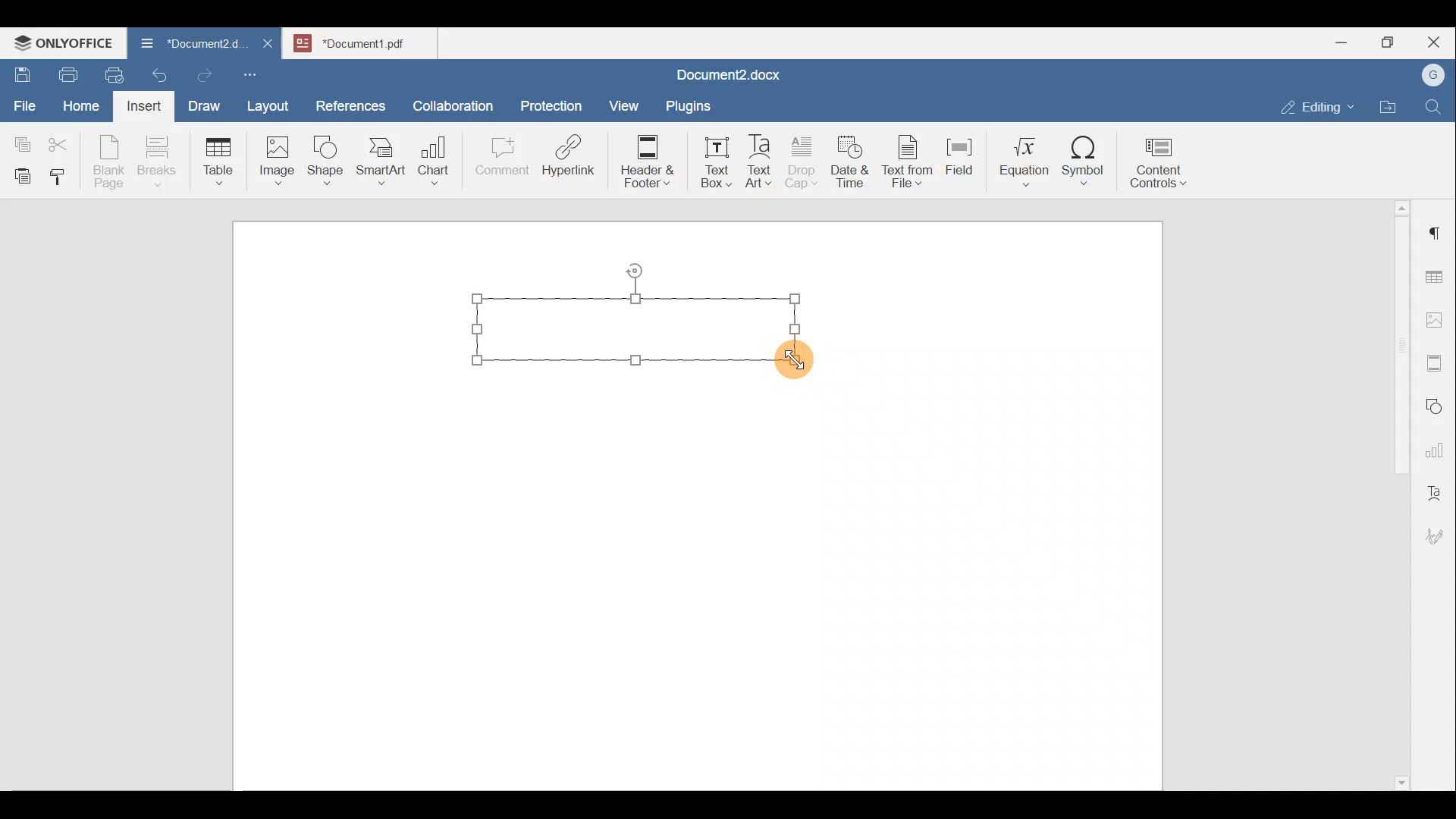  Describe the element at coordinates (1437, 318) in the screenshot. I see `Image settings` at that location.